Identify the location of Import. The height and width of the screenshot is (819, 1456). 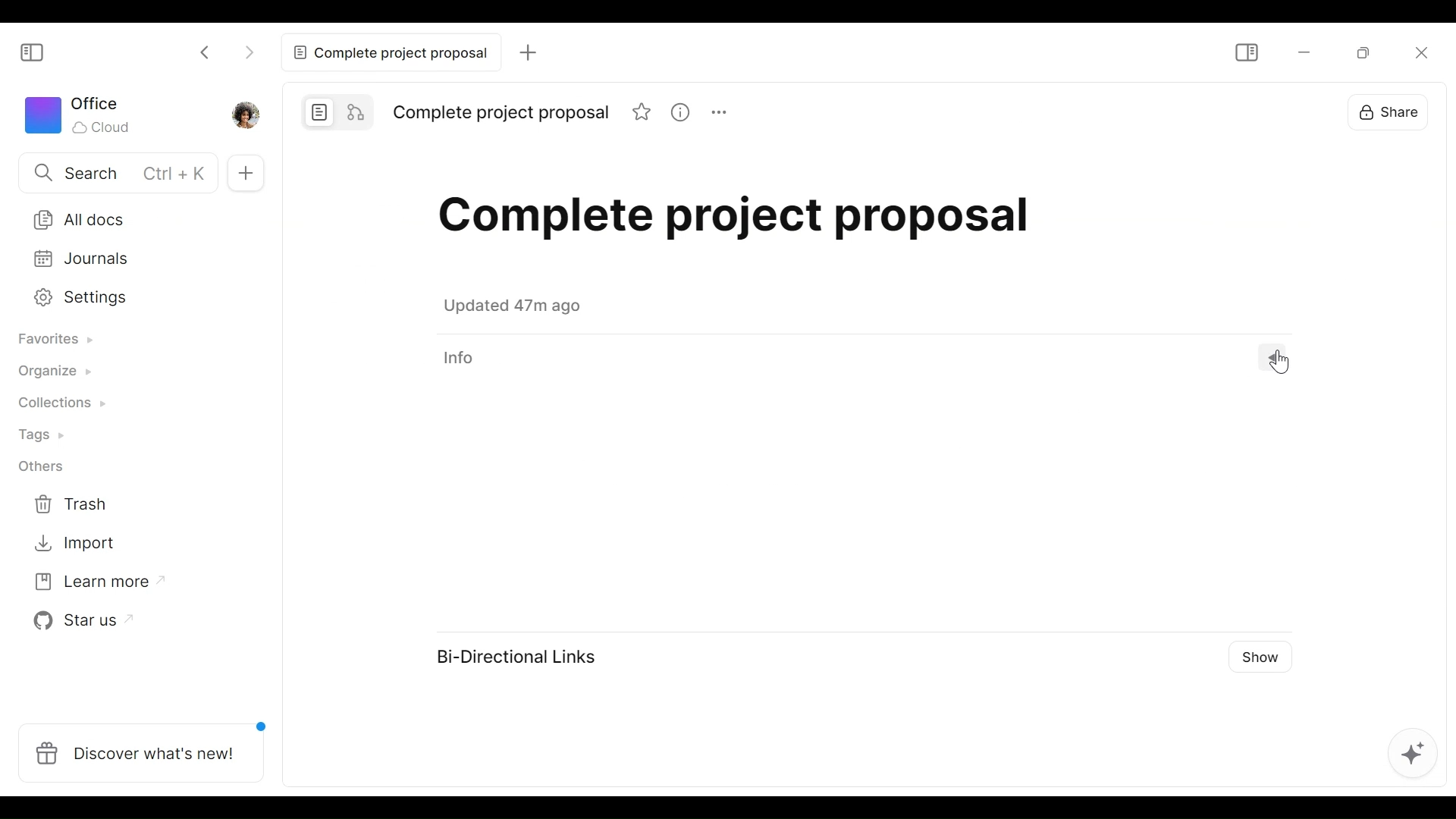
(79, 544).